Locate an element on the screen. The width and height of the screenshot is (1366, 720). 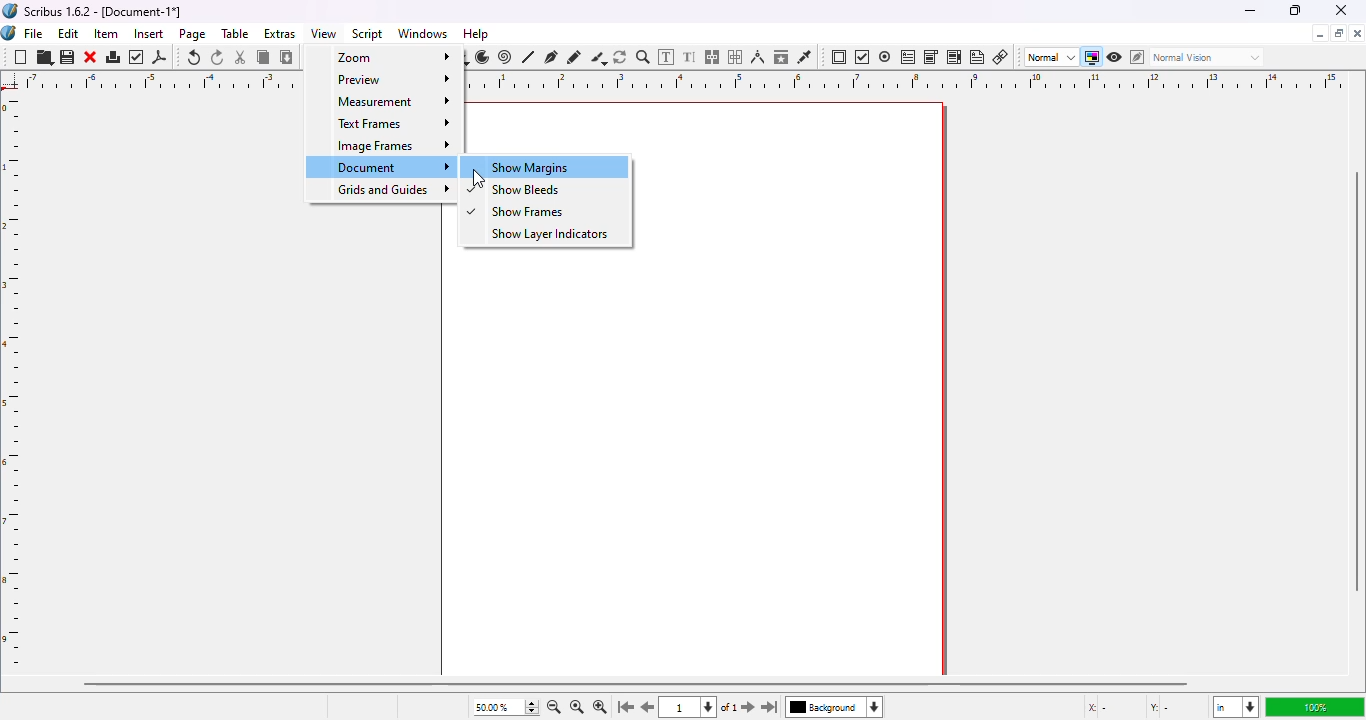
save is located at coordinates (68, 58).